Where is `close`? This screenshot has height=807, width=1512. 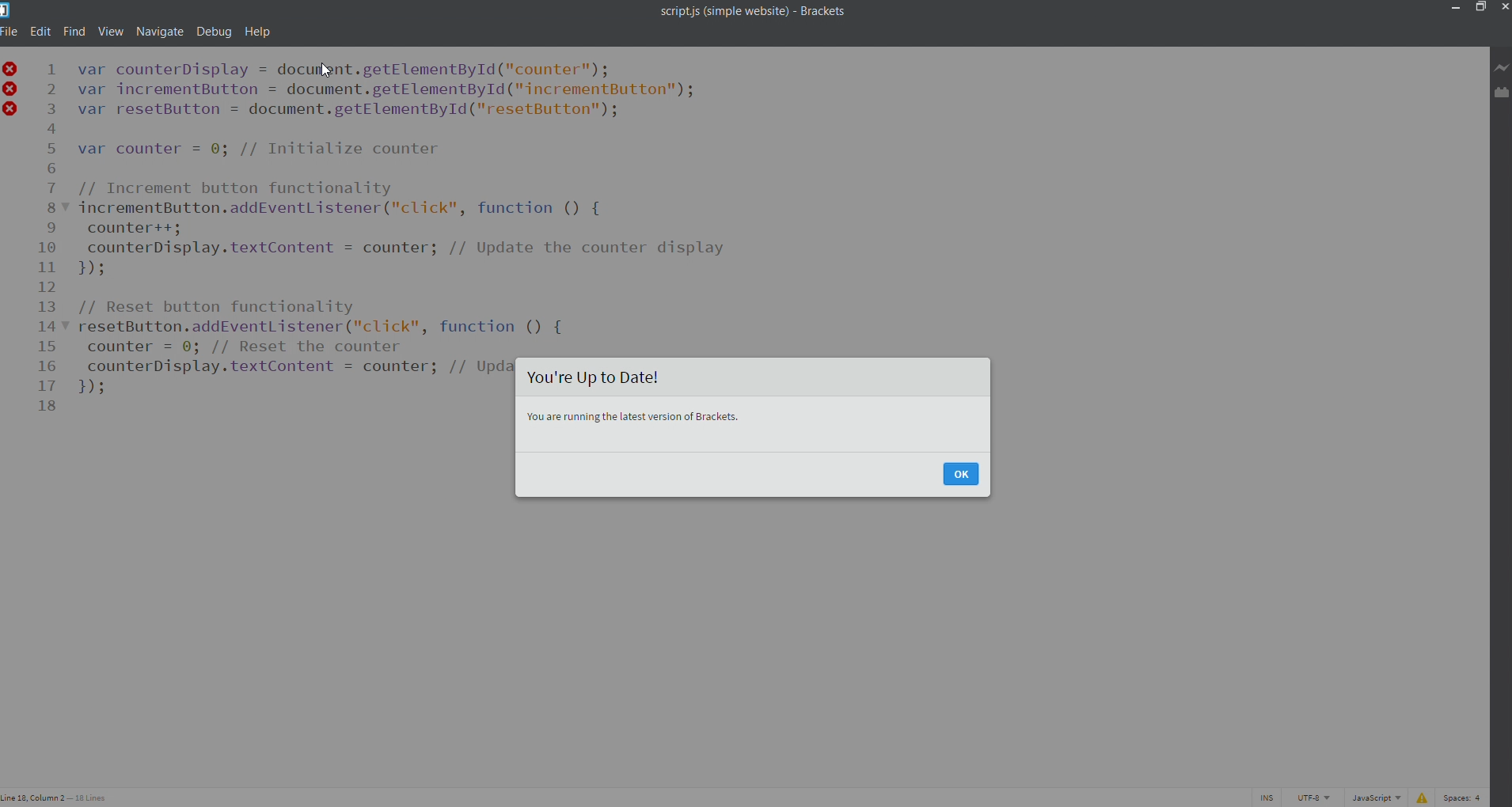
close is located at coordinates (1503, 7).